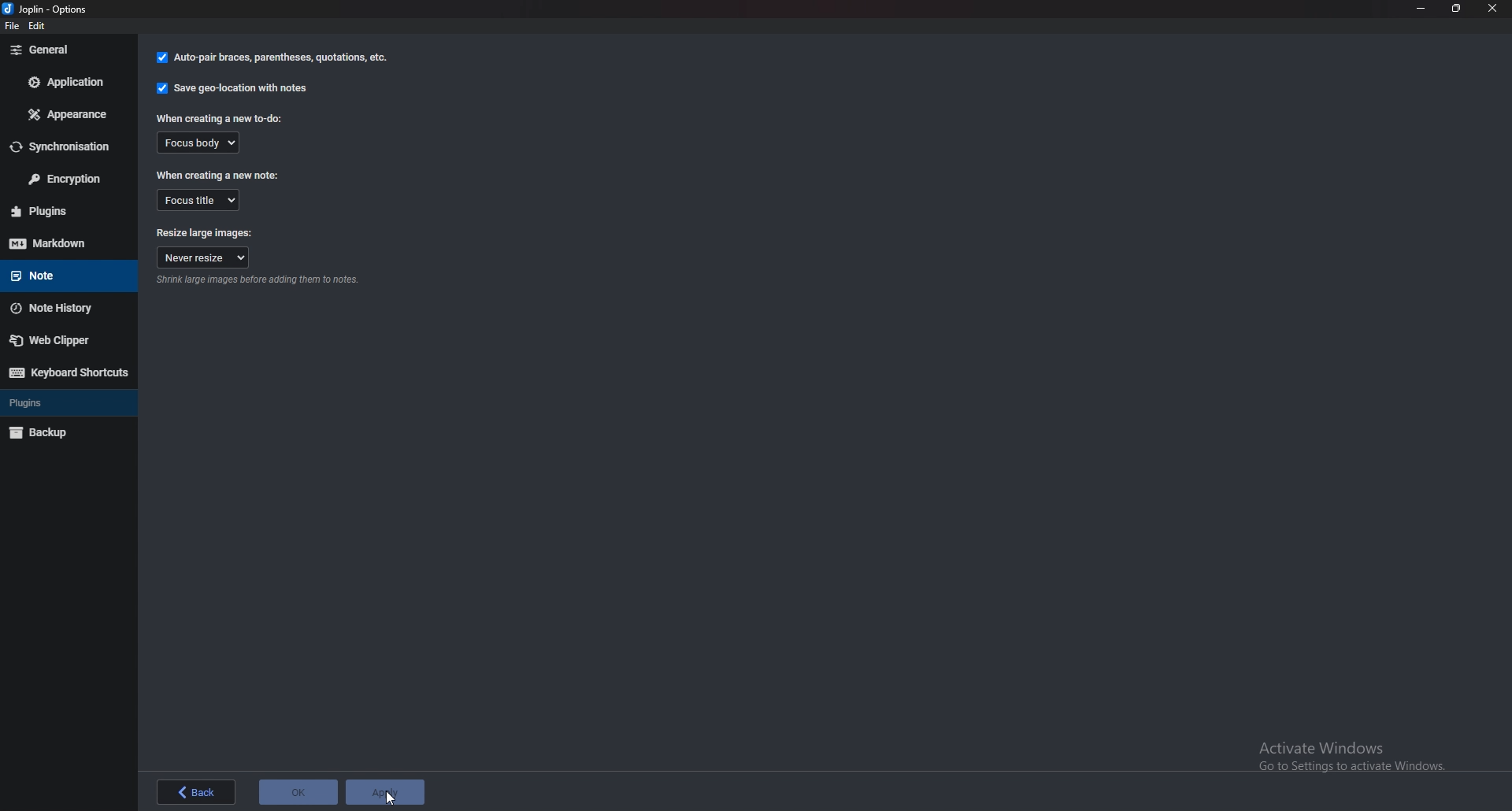 This screenshot has width=1512, height=811. I want to click on options, so click(53, 9).